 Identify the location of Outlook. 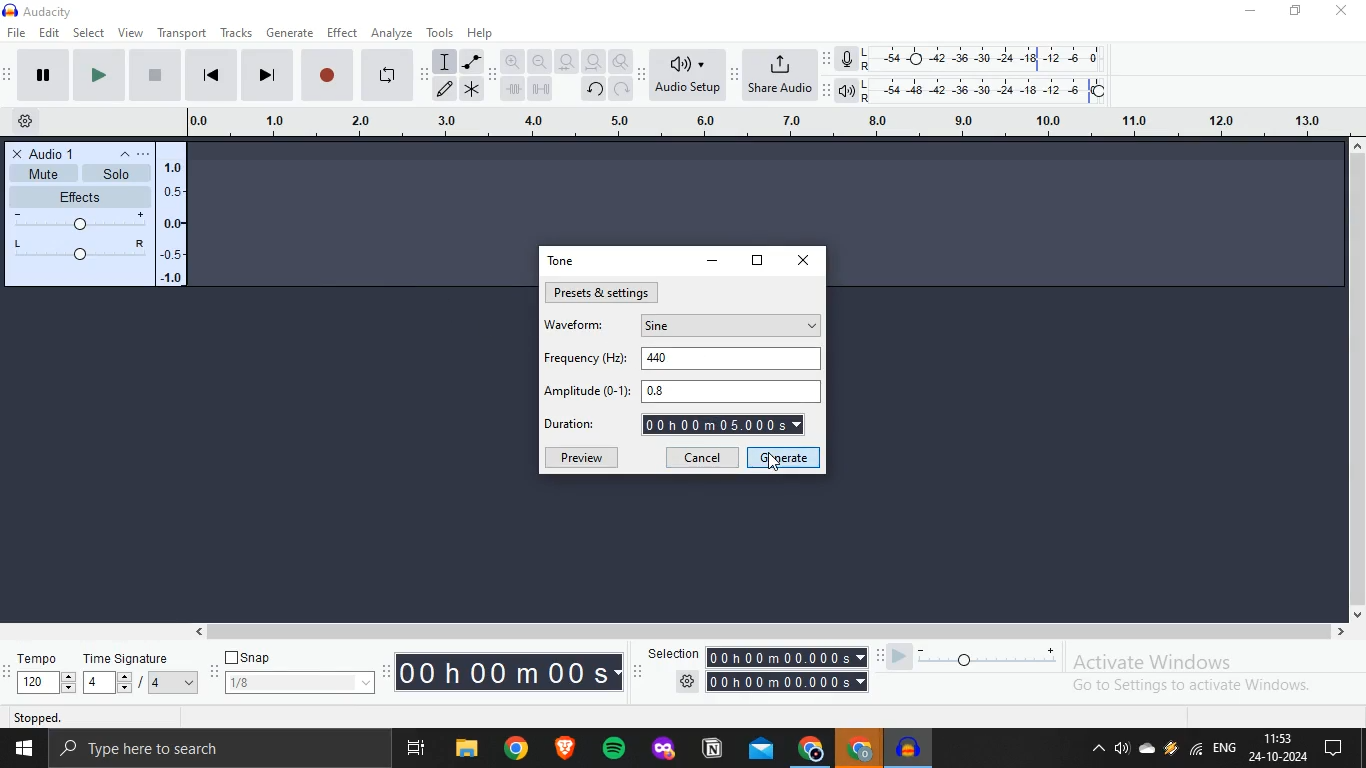
(762, 752).